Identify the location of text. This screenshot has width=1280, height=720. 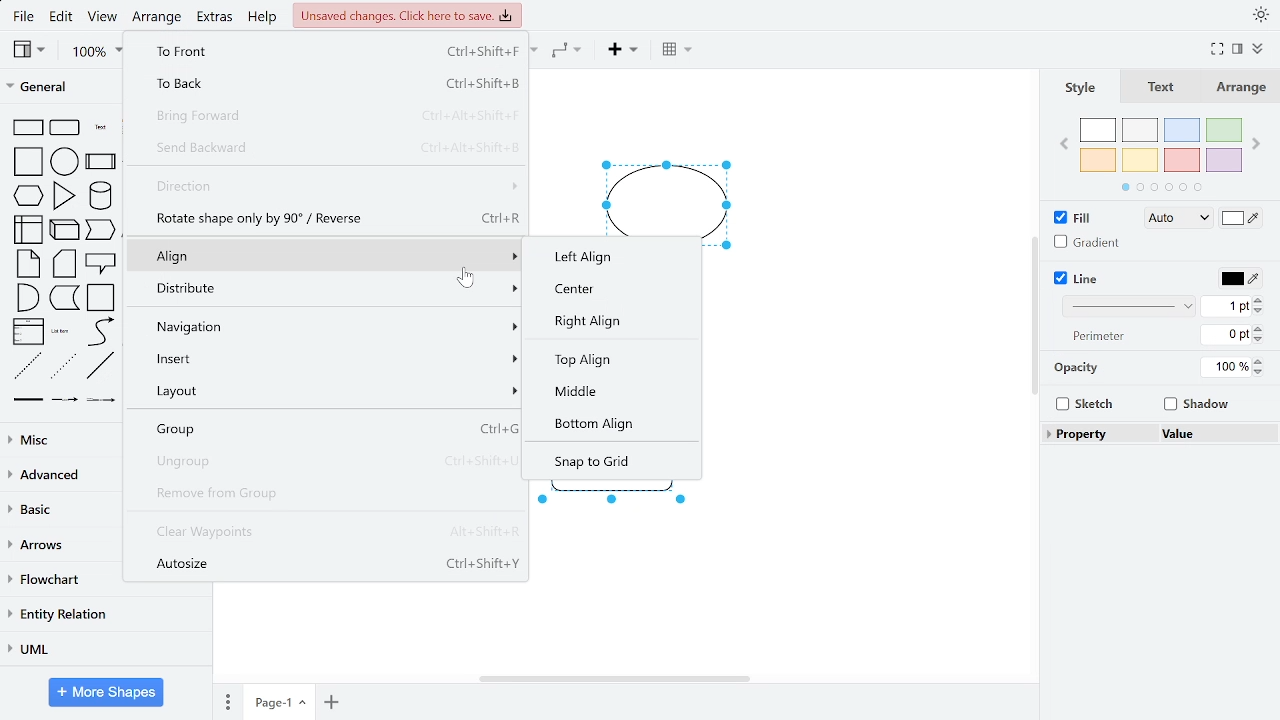
(1162, 87).